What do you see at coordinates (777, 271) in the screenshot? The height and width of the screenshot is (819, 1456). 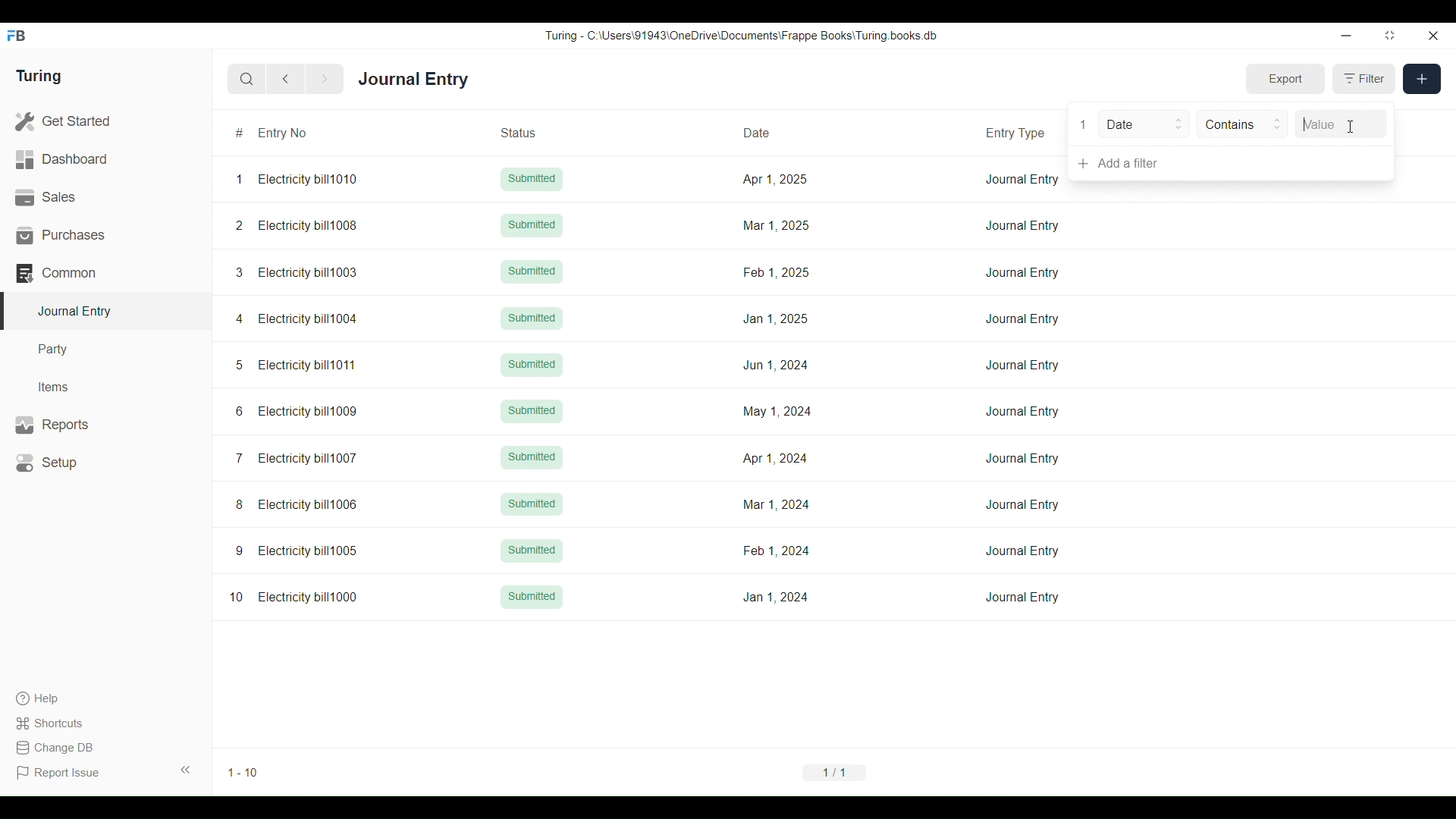 I see `Feb 1, 2025` at bounding box center [777, 271].